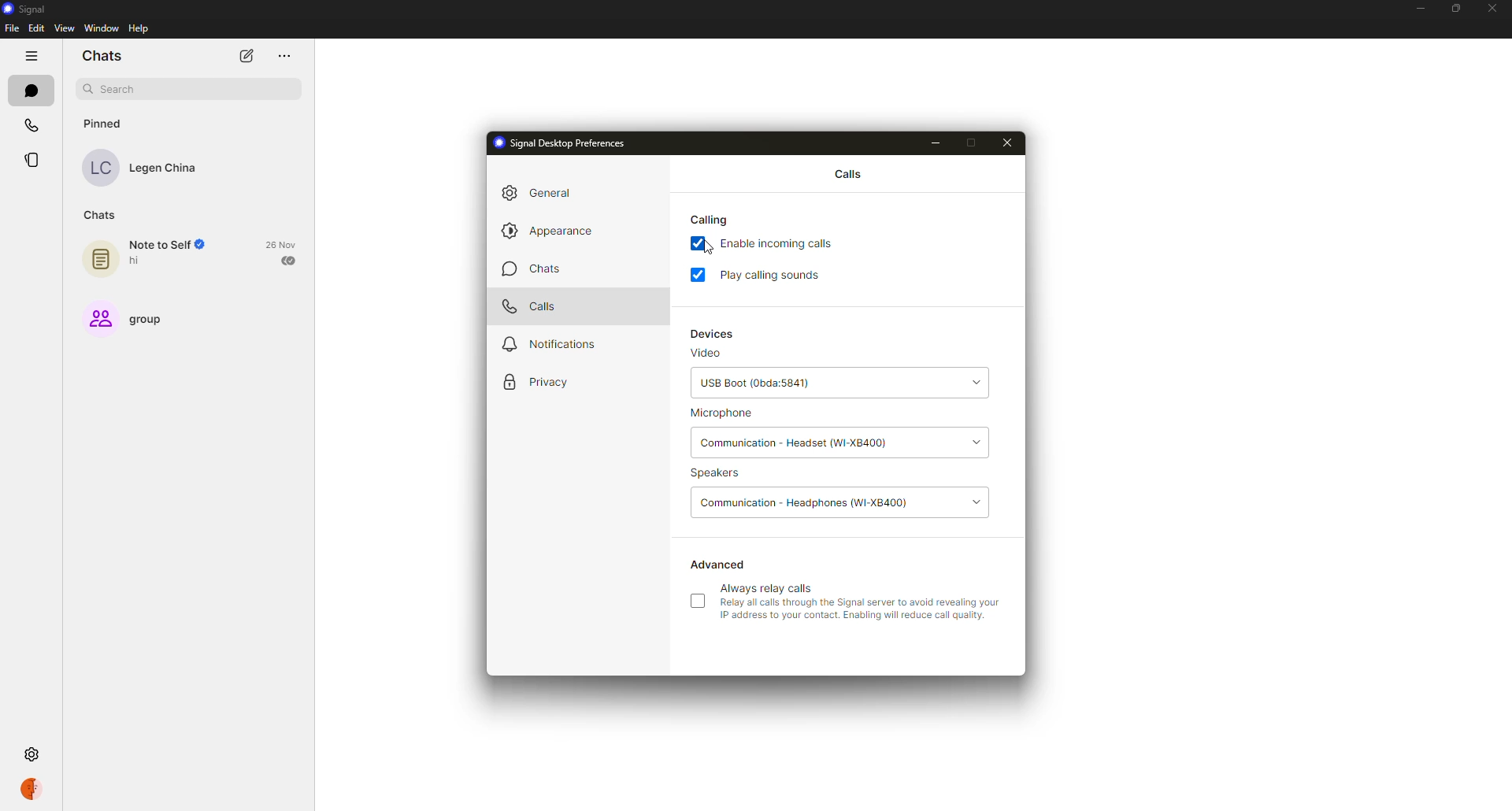 The height and width of the screenshot is (811, 1512). Describe the element at coordinates (246, 56) in the screenshot. I see `new chat` at that location.